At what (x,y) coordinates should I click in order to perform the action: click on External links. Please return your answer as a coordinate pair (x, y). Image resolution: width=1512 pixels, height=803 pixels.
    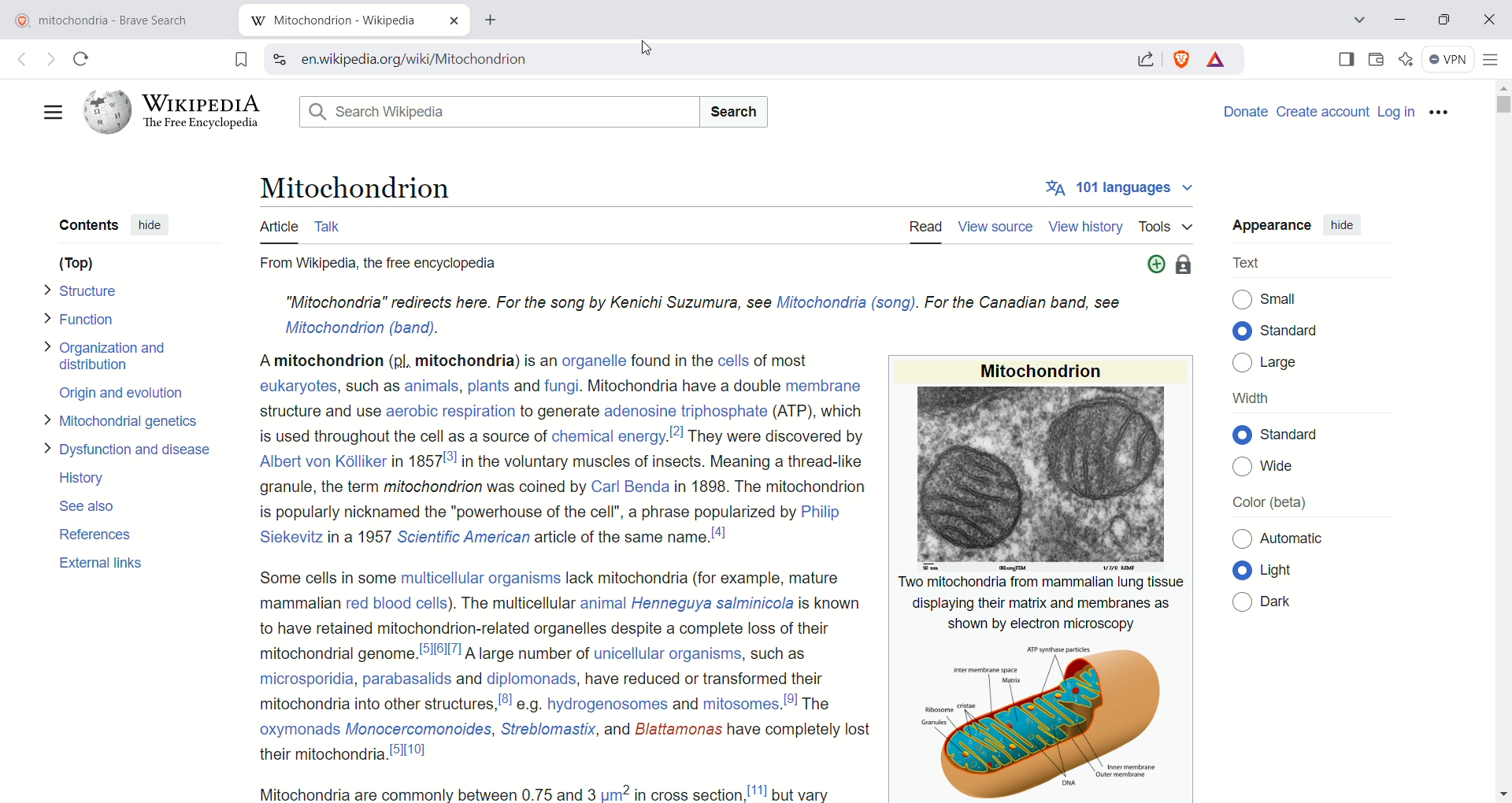
    Looking at the image, I should click on (104, 562).